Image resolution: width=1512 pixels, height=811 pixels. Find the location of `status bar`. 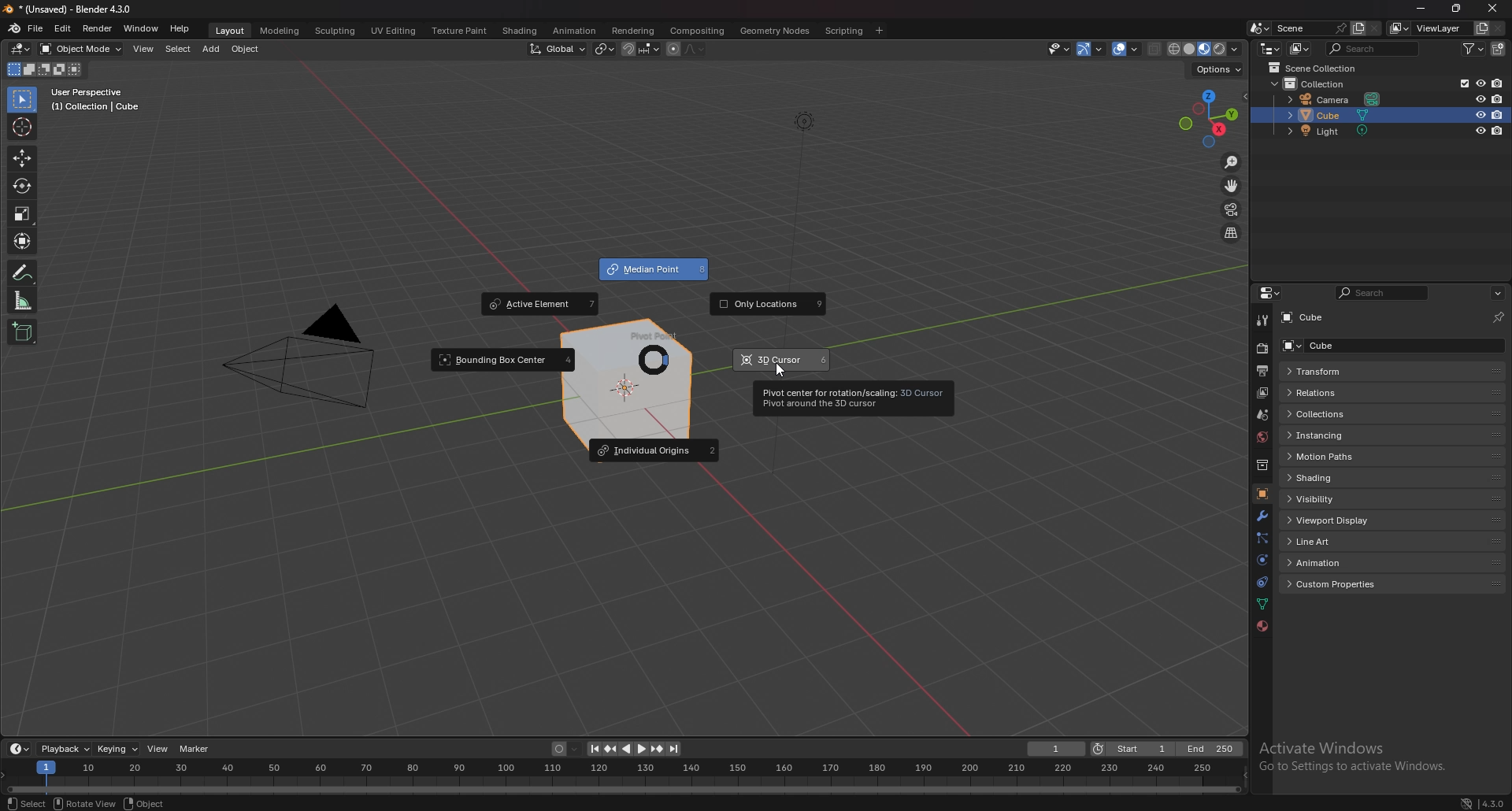

status bar is located at coordinates (320, 803).